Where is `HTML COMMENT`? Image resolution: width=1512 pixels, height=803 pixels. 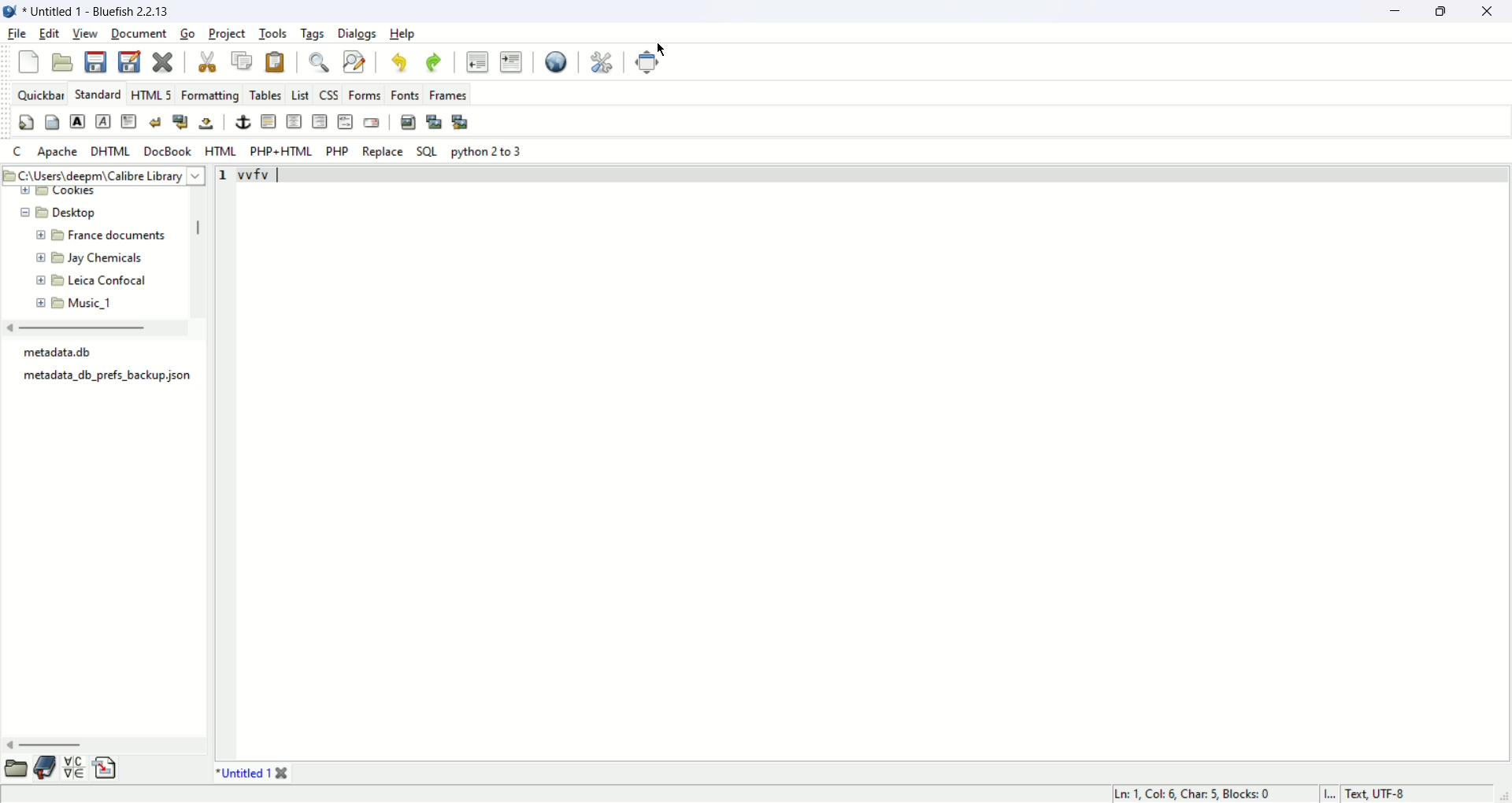
HTML COMMENT is located at coordinates (343, 120).